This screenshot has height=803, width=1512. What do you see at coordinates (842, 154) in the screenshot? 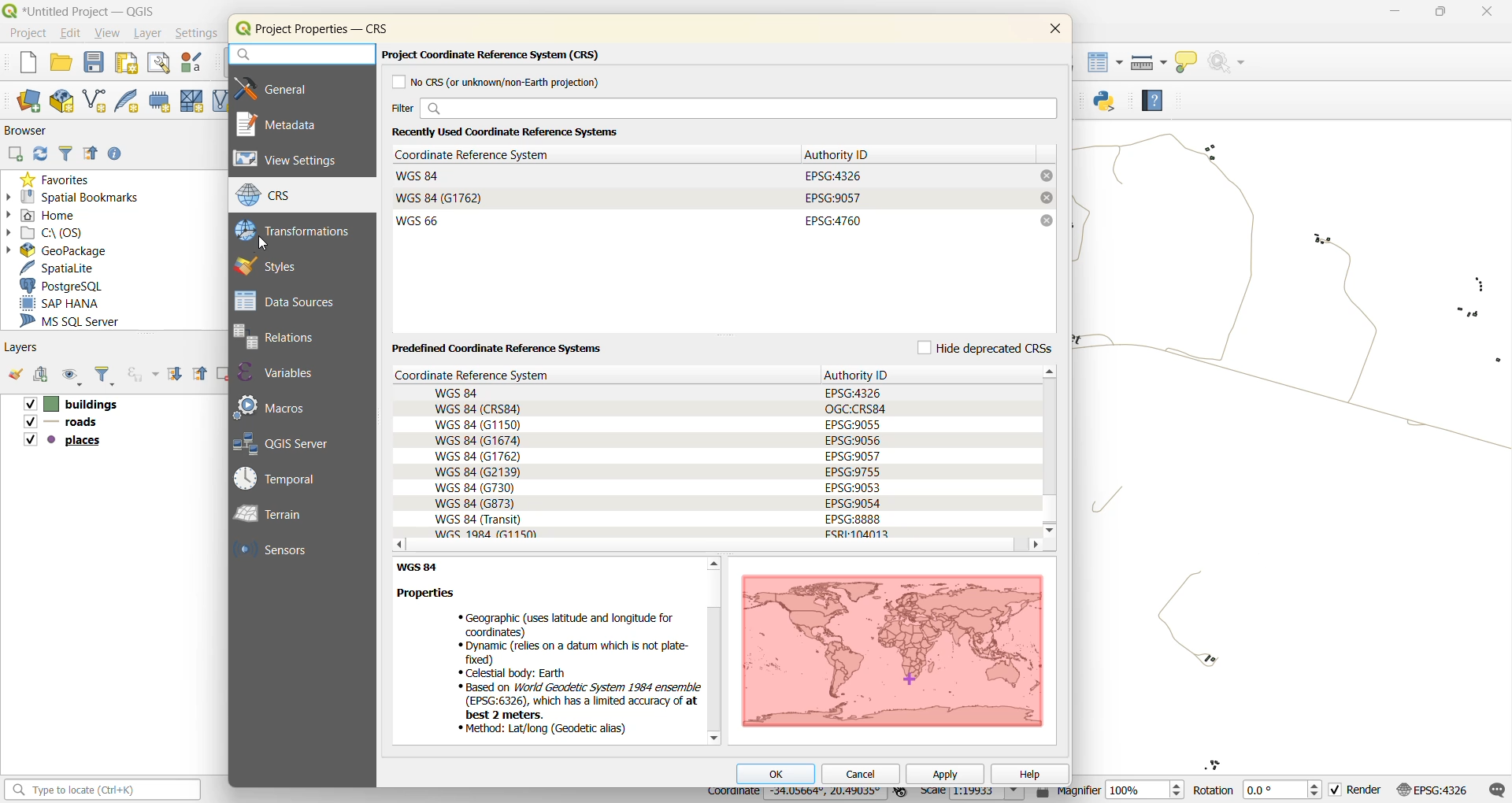
I see `authority id` at bounding box center [842, 154].